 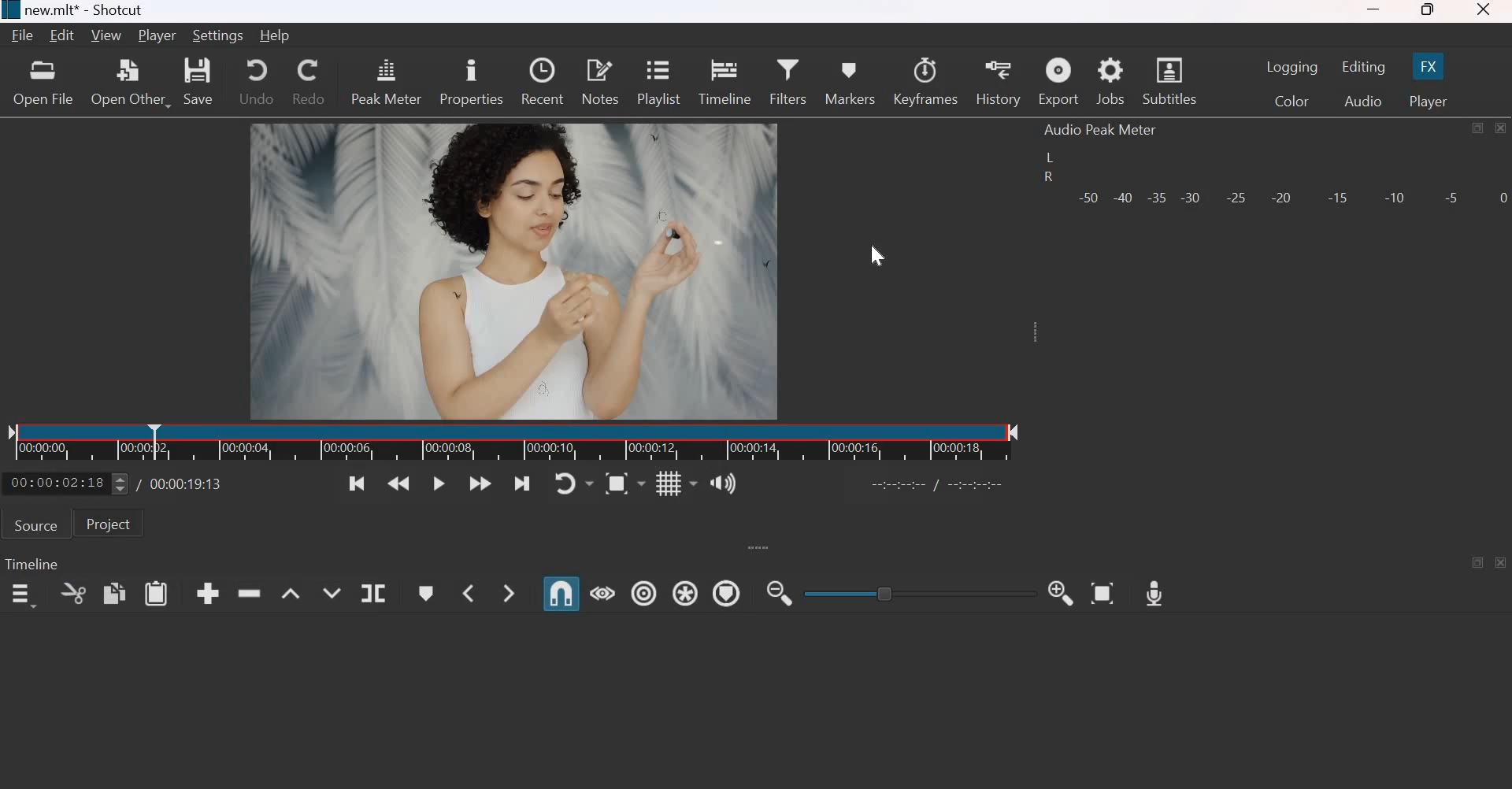 What do you see at coordinates (1047, 178) in the screenshot?
I see `Right` at bounding box center [1047, 178].